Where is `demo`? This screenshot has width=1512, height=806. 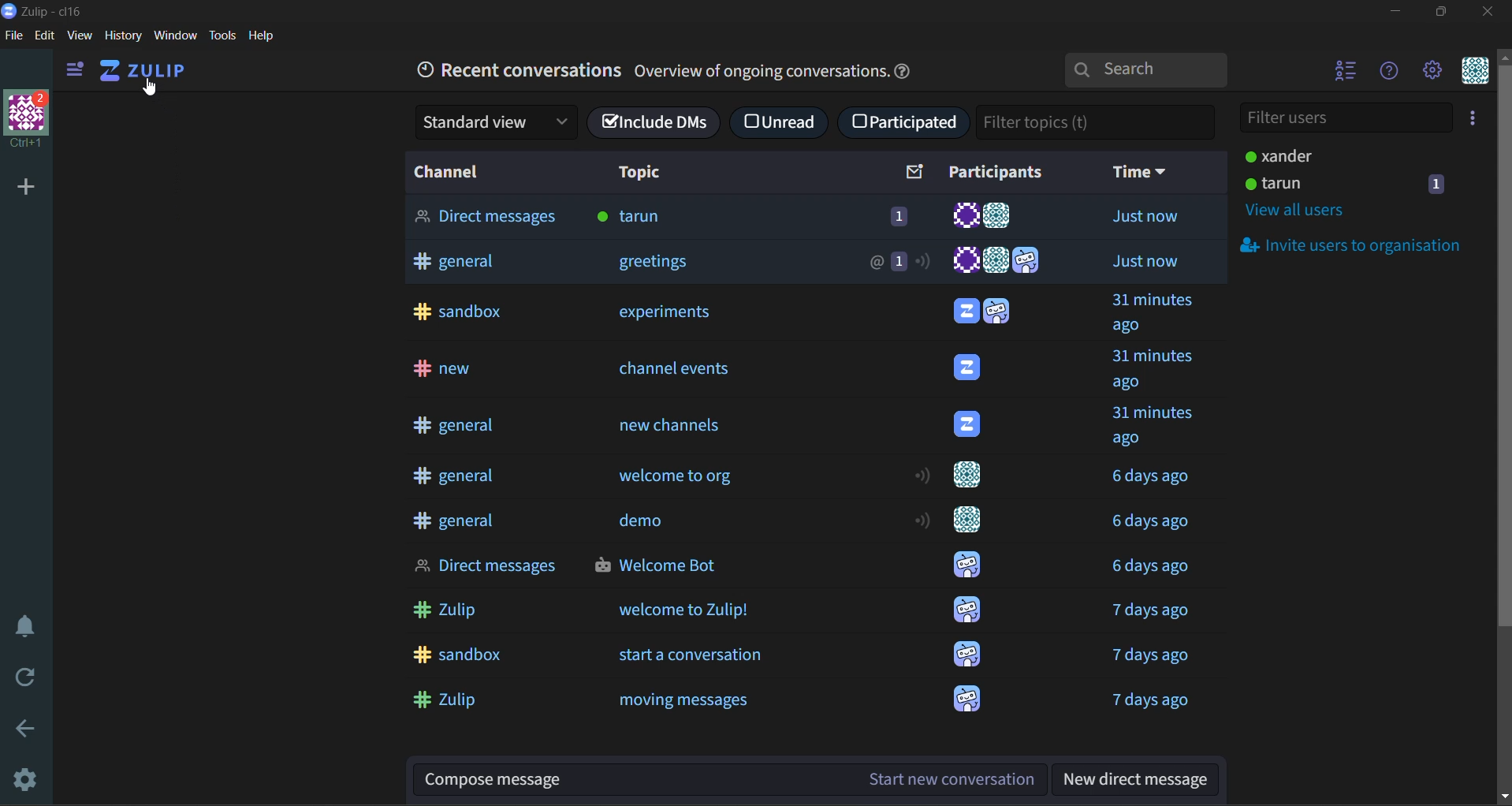
demo is located at coordinates (650, 521).